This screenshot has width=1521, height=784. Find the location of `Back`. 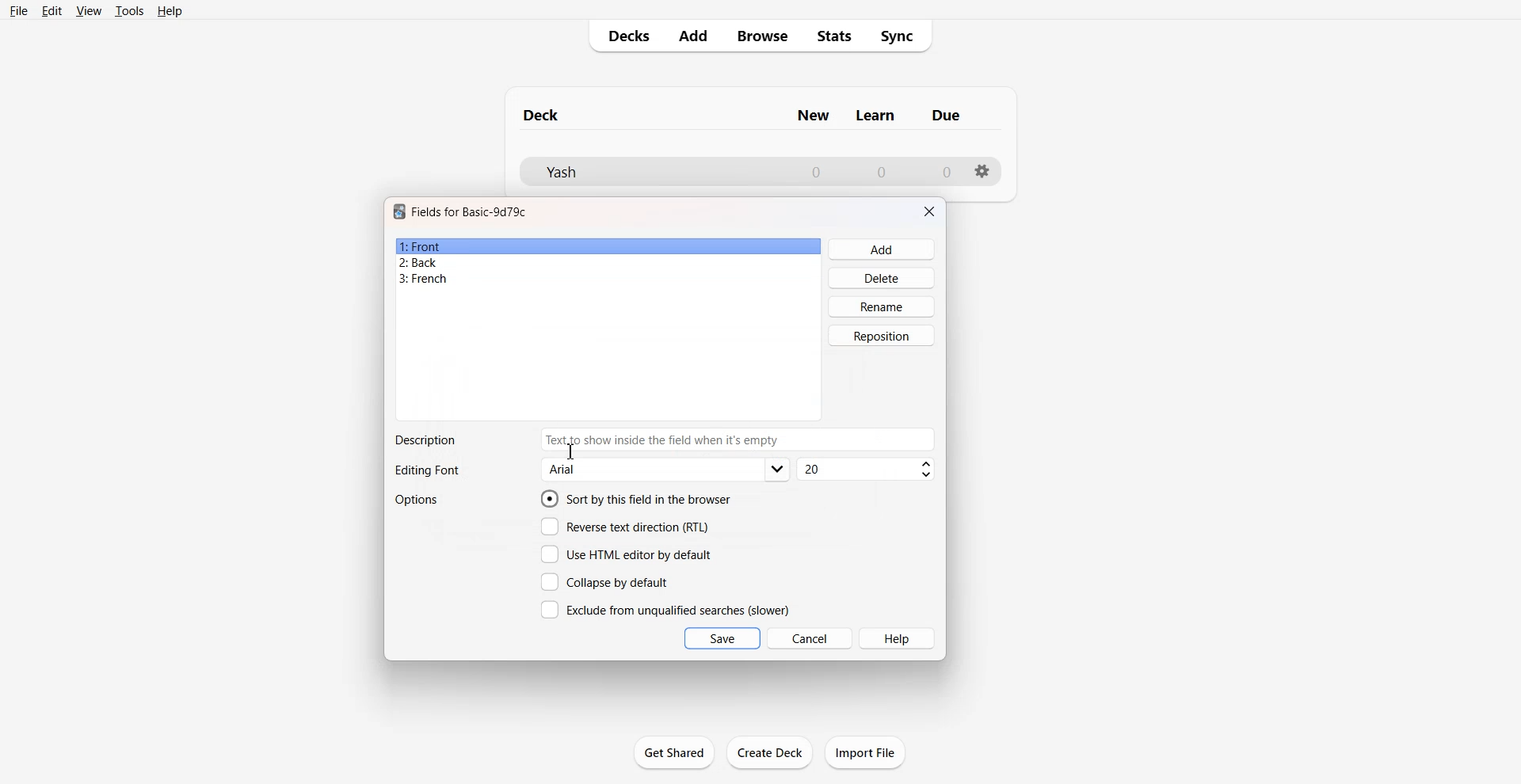

Back is located at coordinates (608, 262).